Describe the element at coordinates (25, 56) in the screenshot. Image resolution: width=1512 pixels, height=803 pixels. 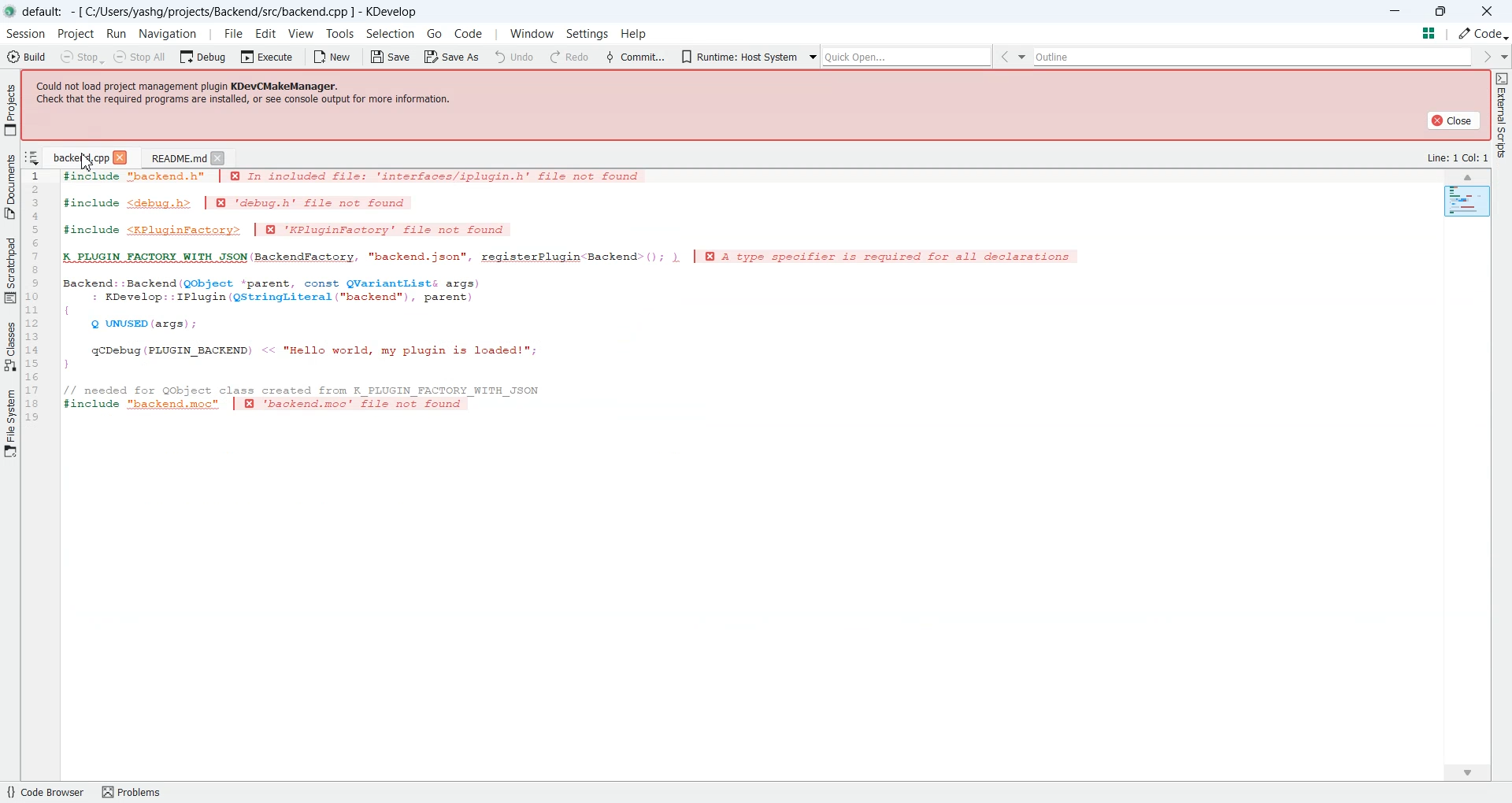
I see `Build` at that location.